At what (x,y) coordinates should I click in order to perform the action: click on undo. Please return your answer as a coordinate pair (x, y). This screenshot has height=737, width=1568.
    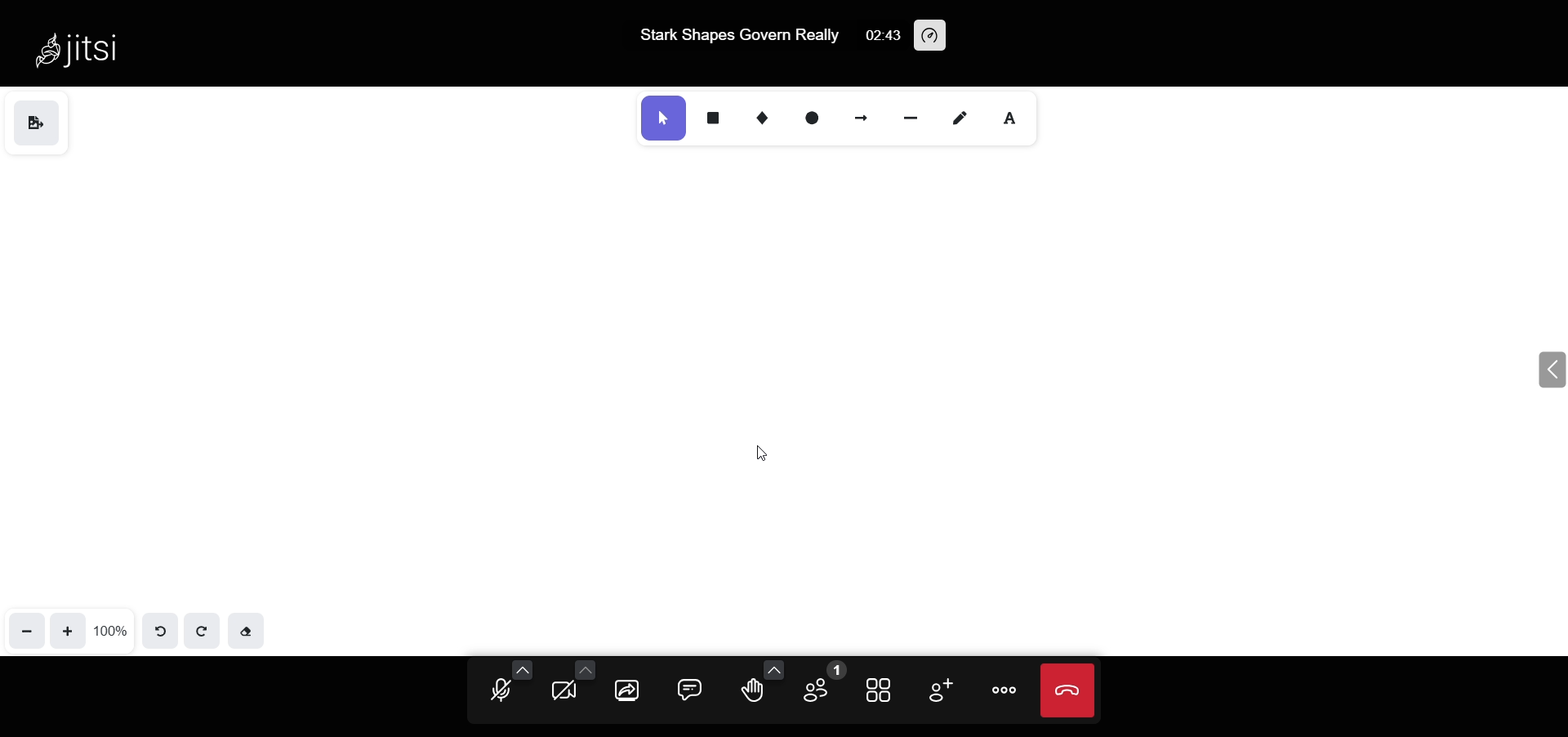
    Looking at the image, I should click on (162, 628).